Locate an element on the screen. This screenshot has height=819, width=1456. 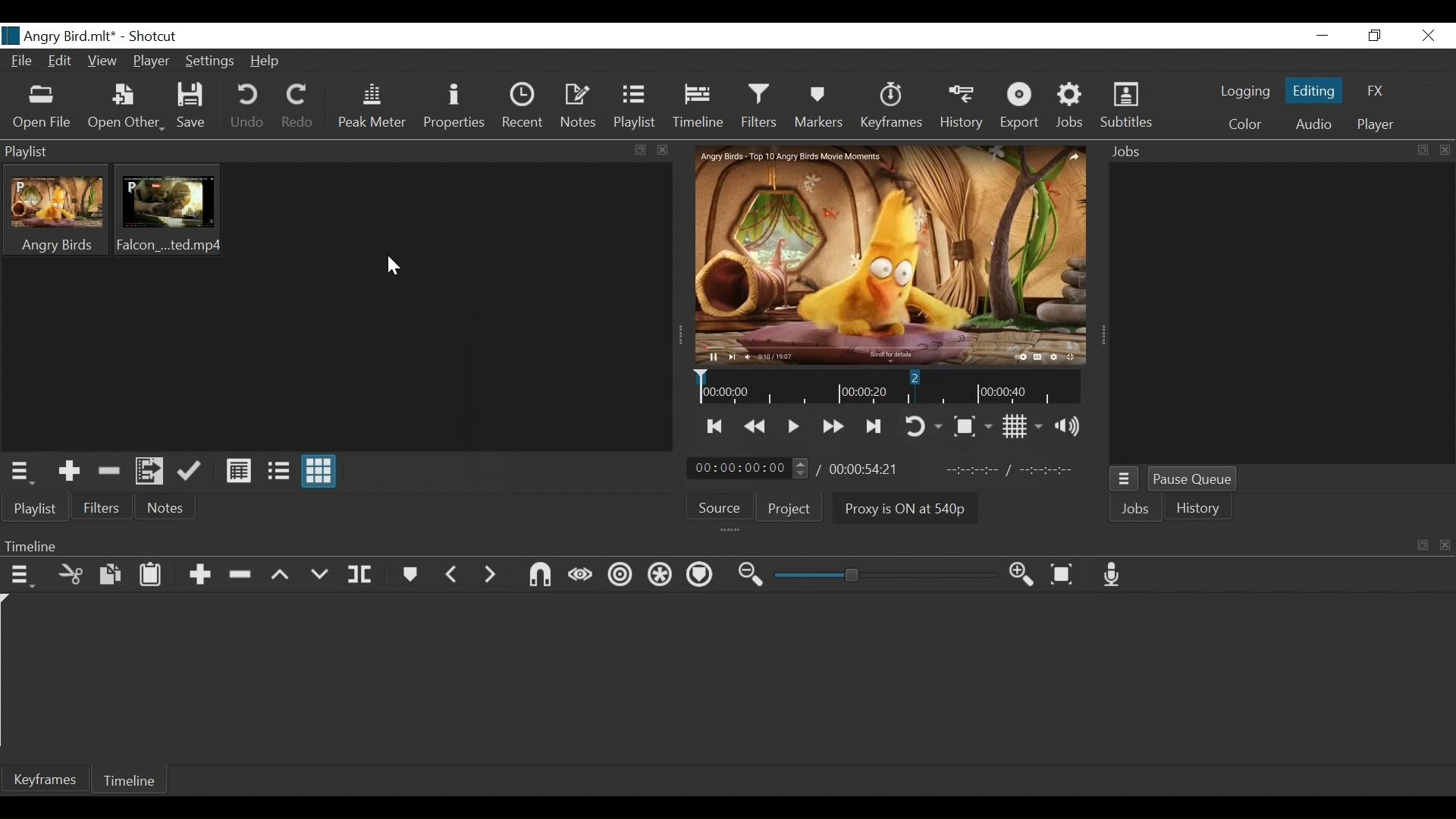
Shotcut is located at coordinates (156, 38).